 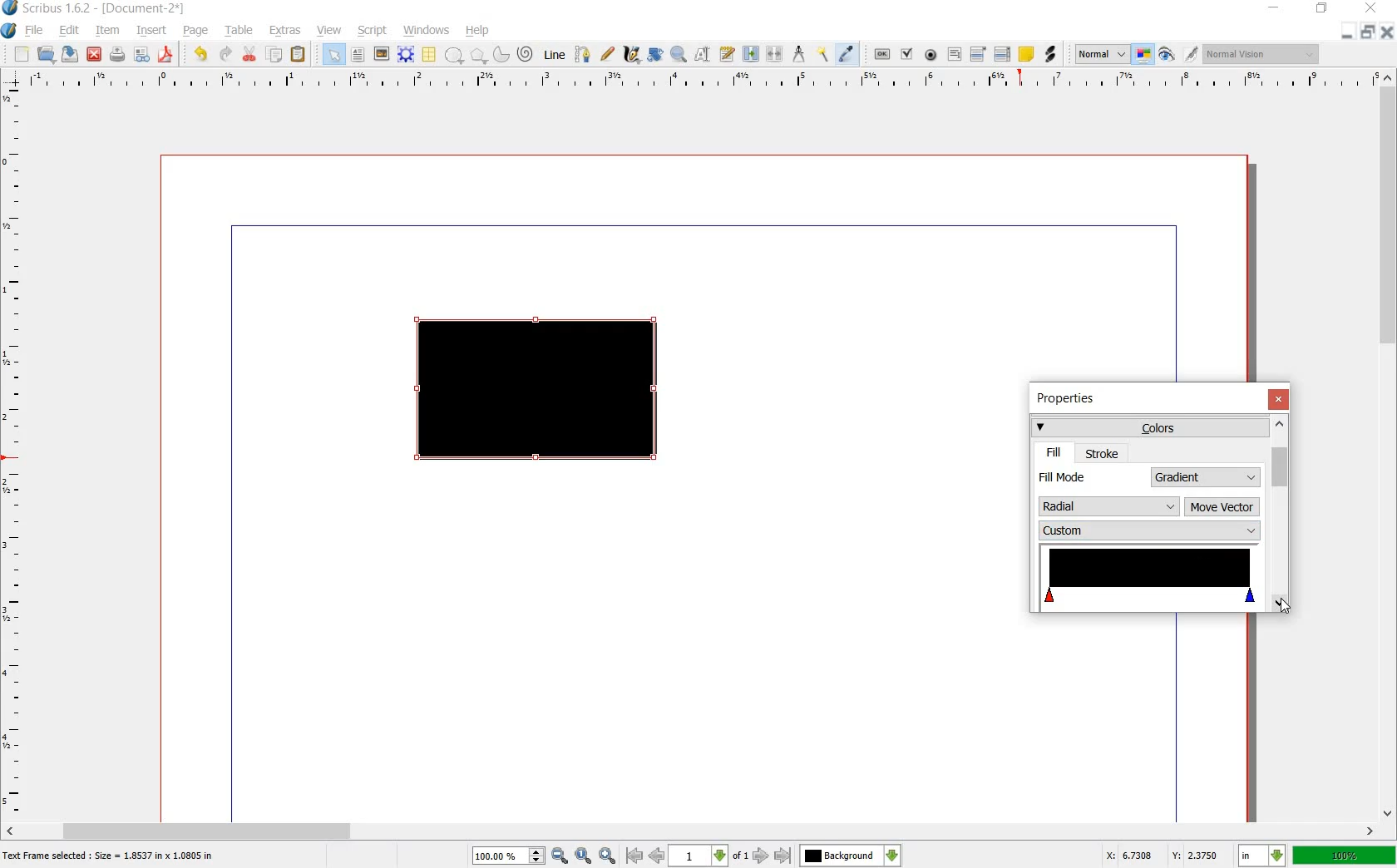 I want to click on pdf check box, so click(x=906, y=54).